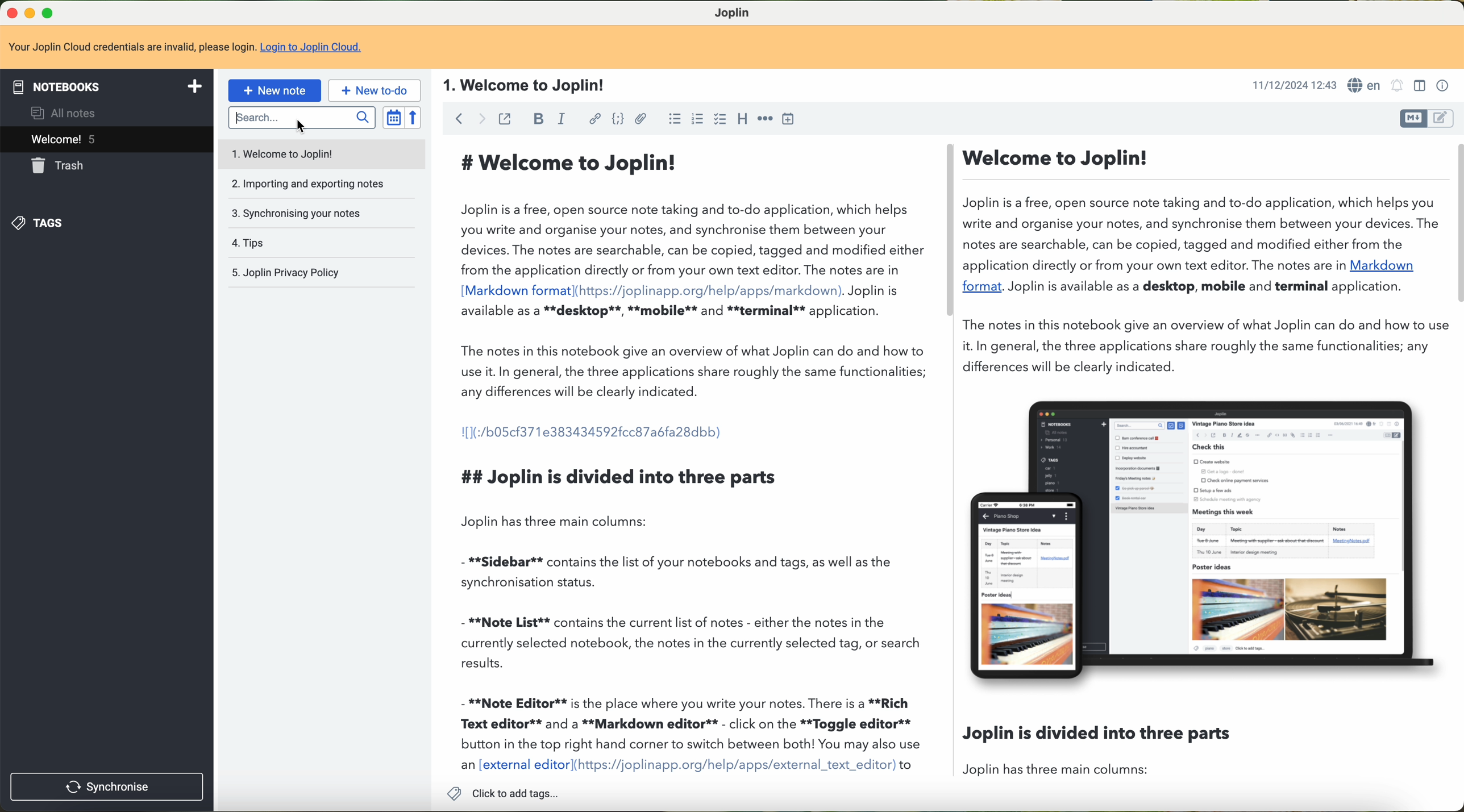  What do you see at coordinates (1455, 223) in the screenshot?
I see `scroll bar` at bounding box center [1455, 223].